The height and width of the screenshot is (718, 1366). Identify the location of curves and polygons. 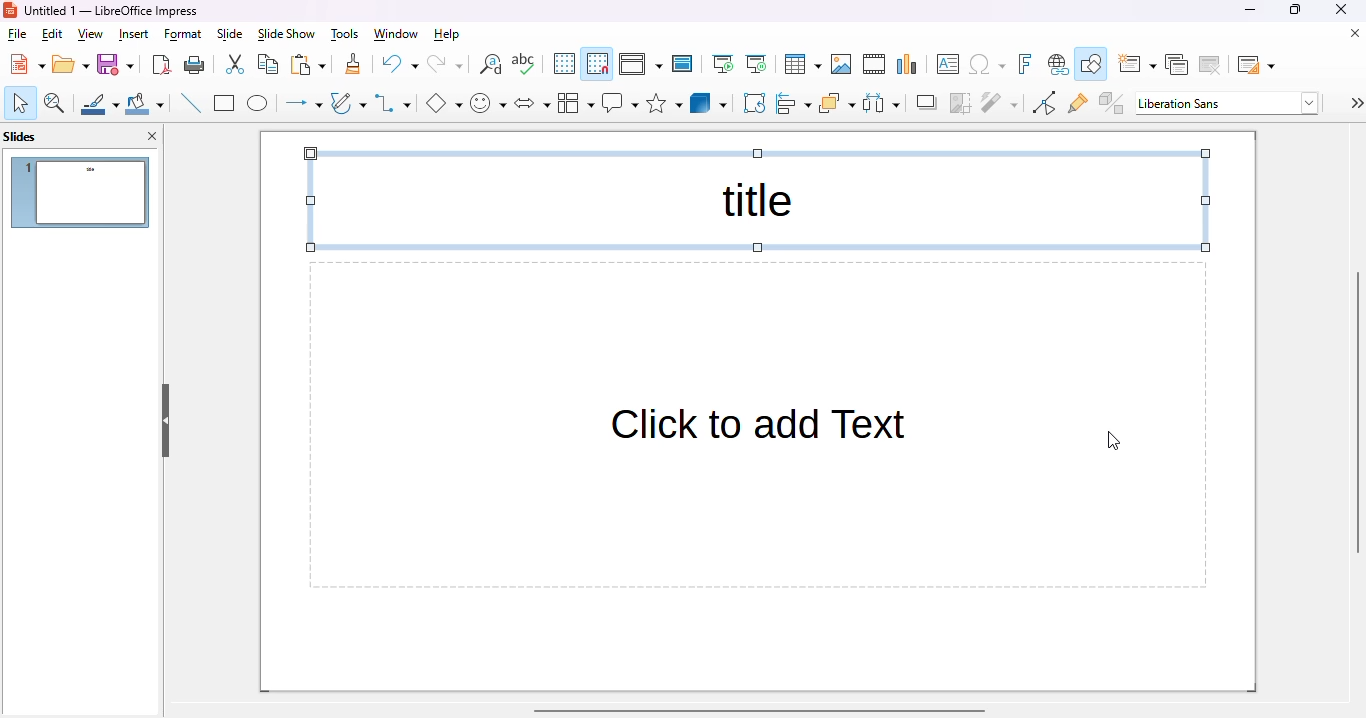
(348, 103).